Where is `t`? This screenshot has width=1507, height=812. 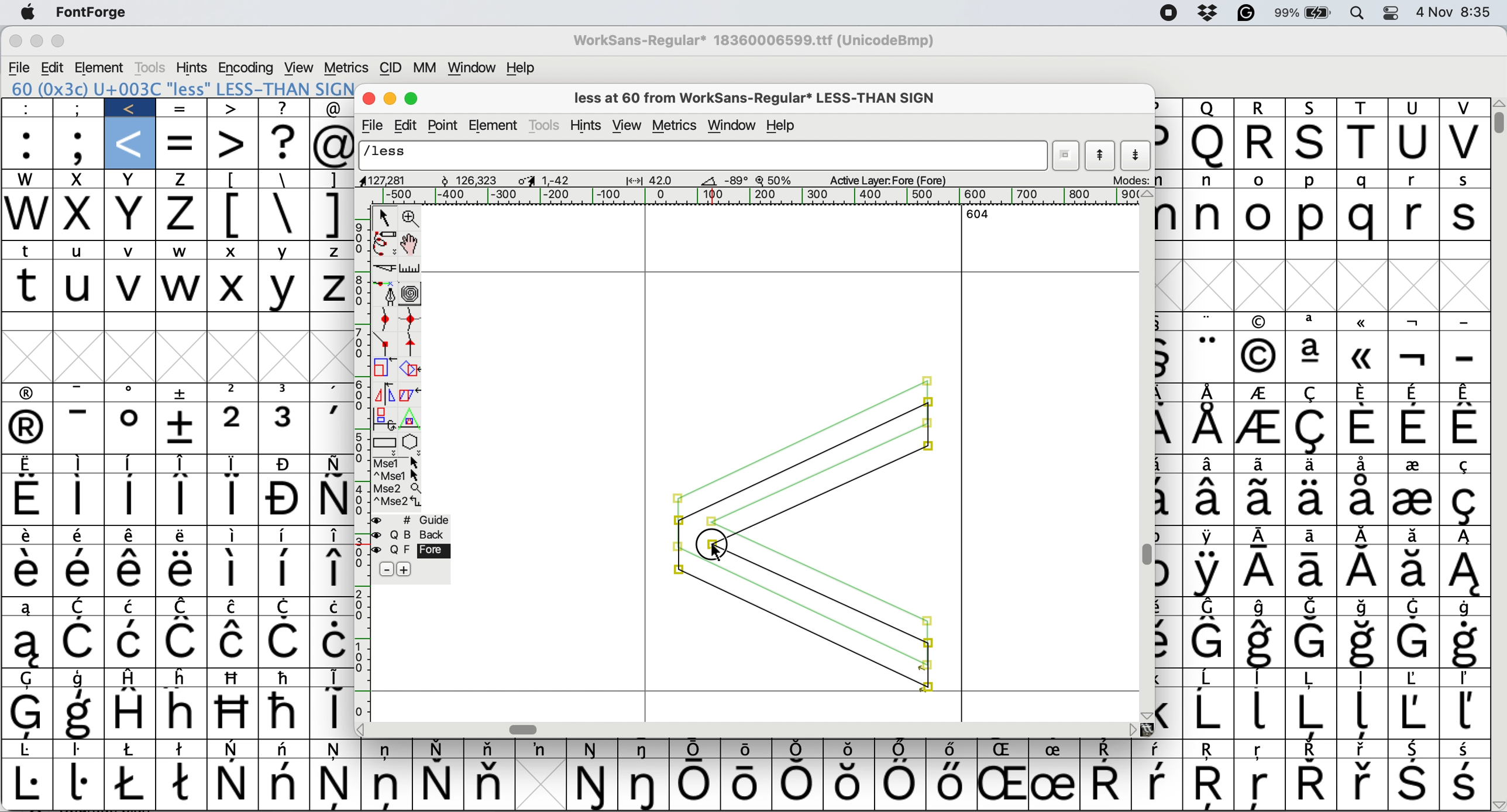 t is located at coordinates (1363, 143).